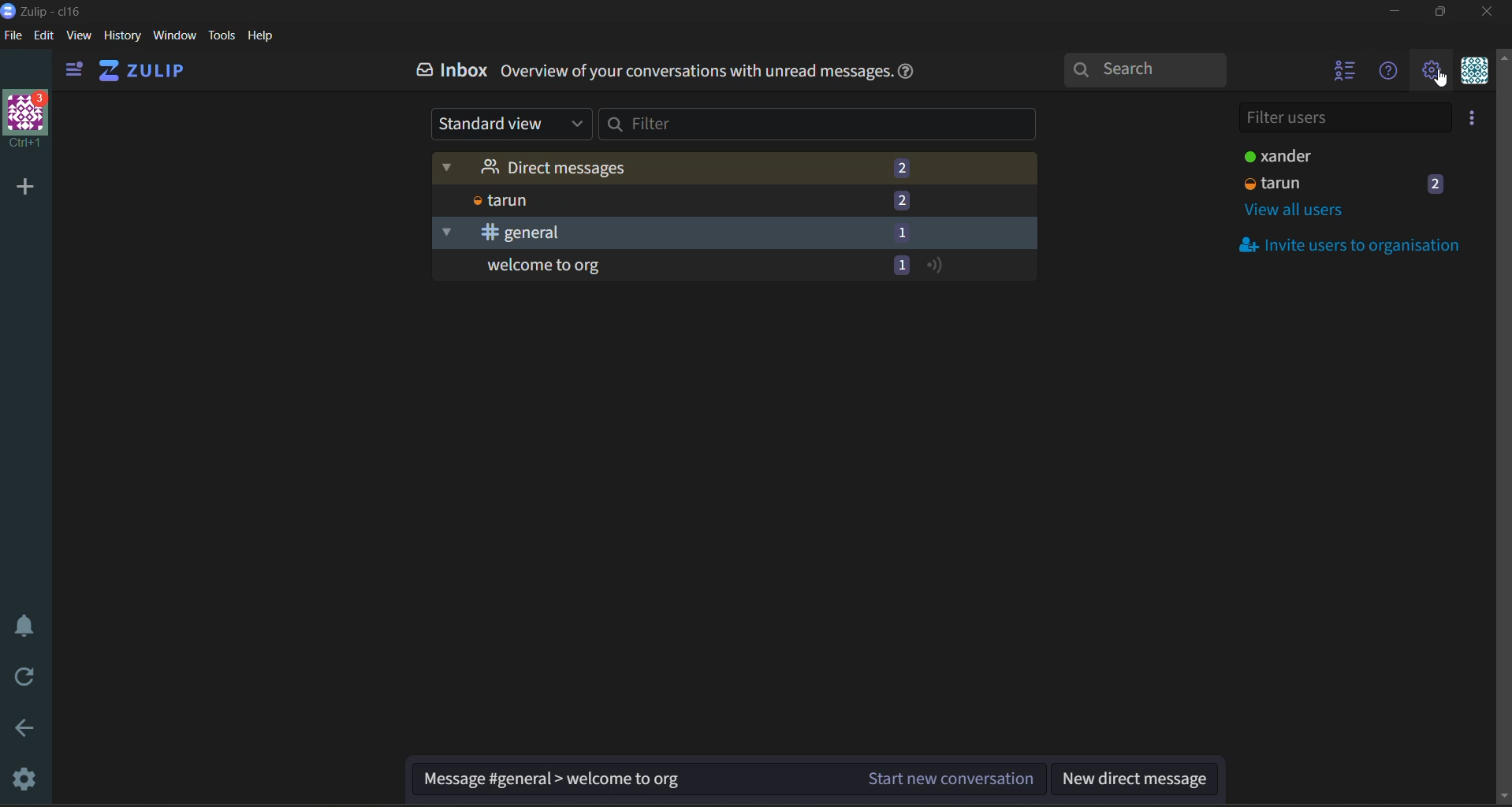 The width and height of the screenshot is (1512, 807). I want to click on 1 message, so click(898, 263).